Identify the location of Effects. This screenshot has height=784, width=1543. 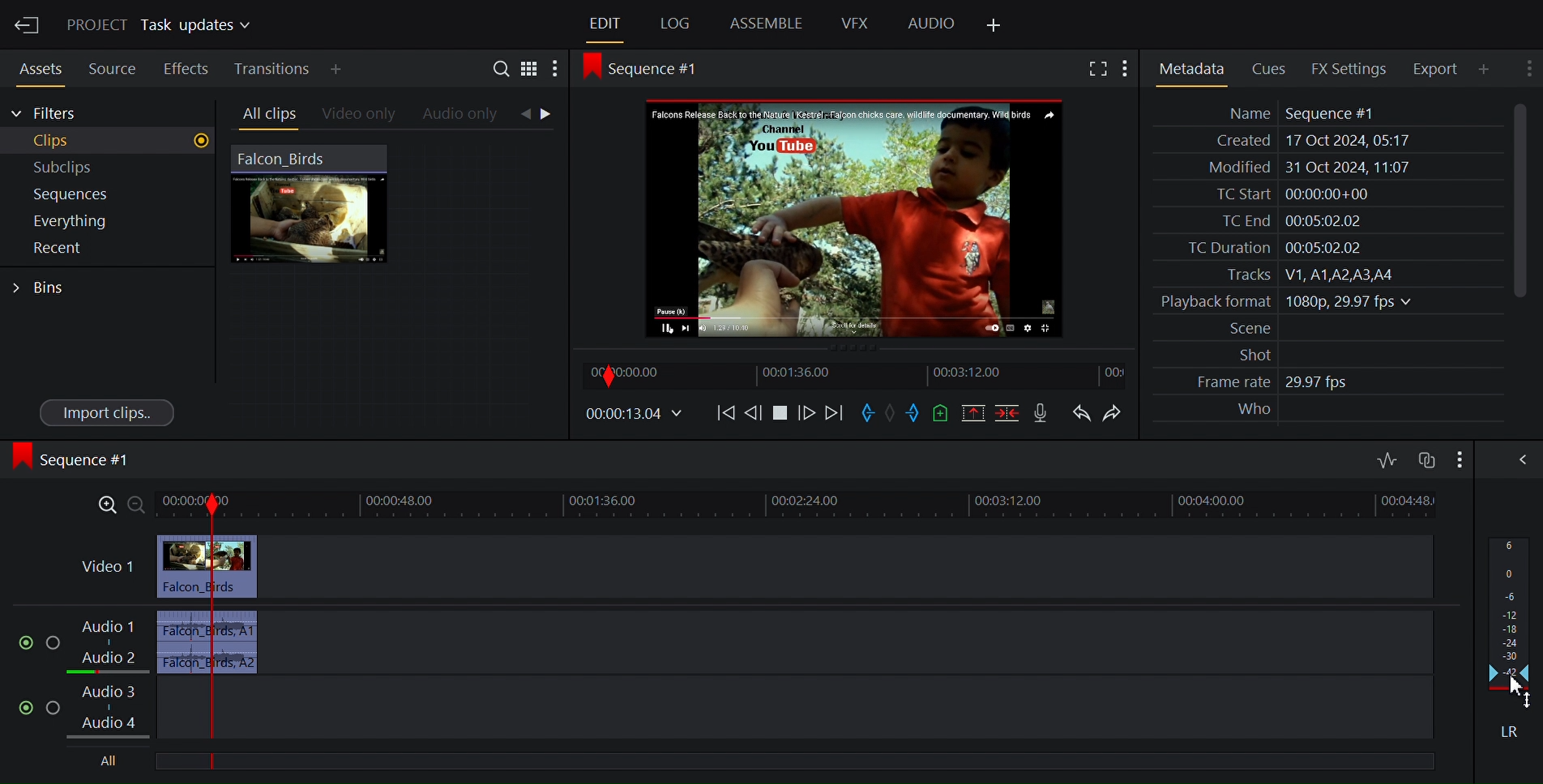
(186, 69).